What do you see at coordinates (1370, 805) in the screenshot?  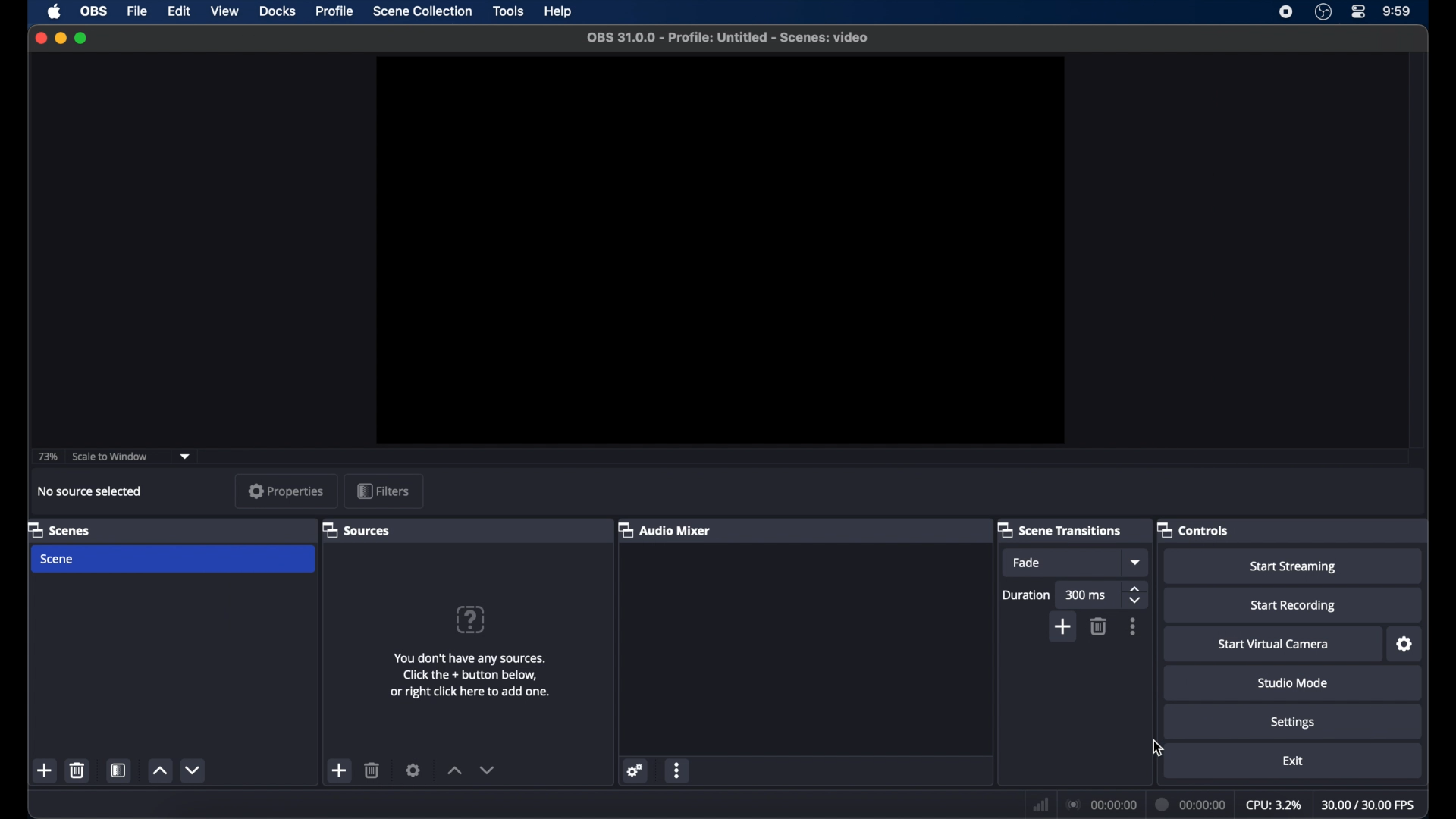 I see `fps` at bounding box center [1370, 805].